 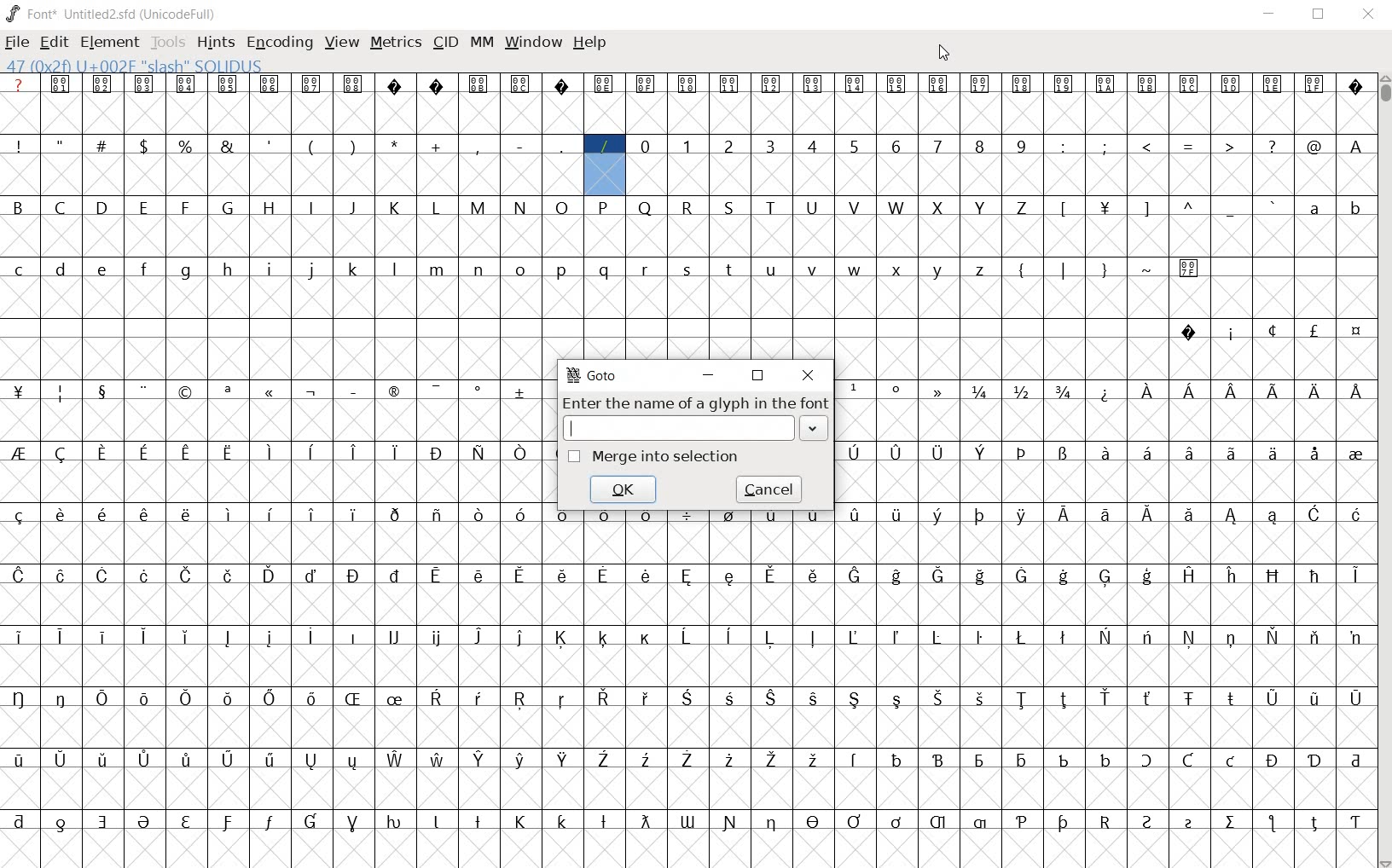 I want to click on glyph, so click(x=309, y=636).